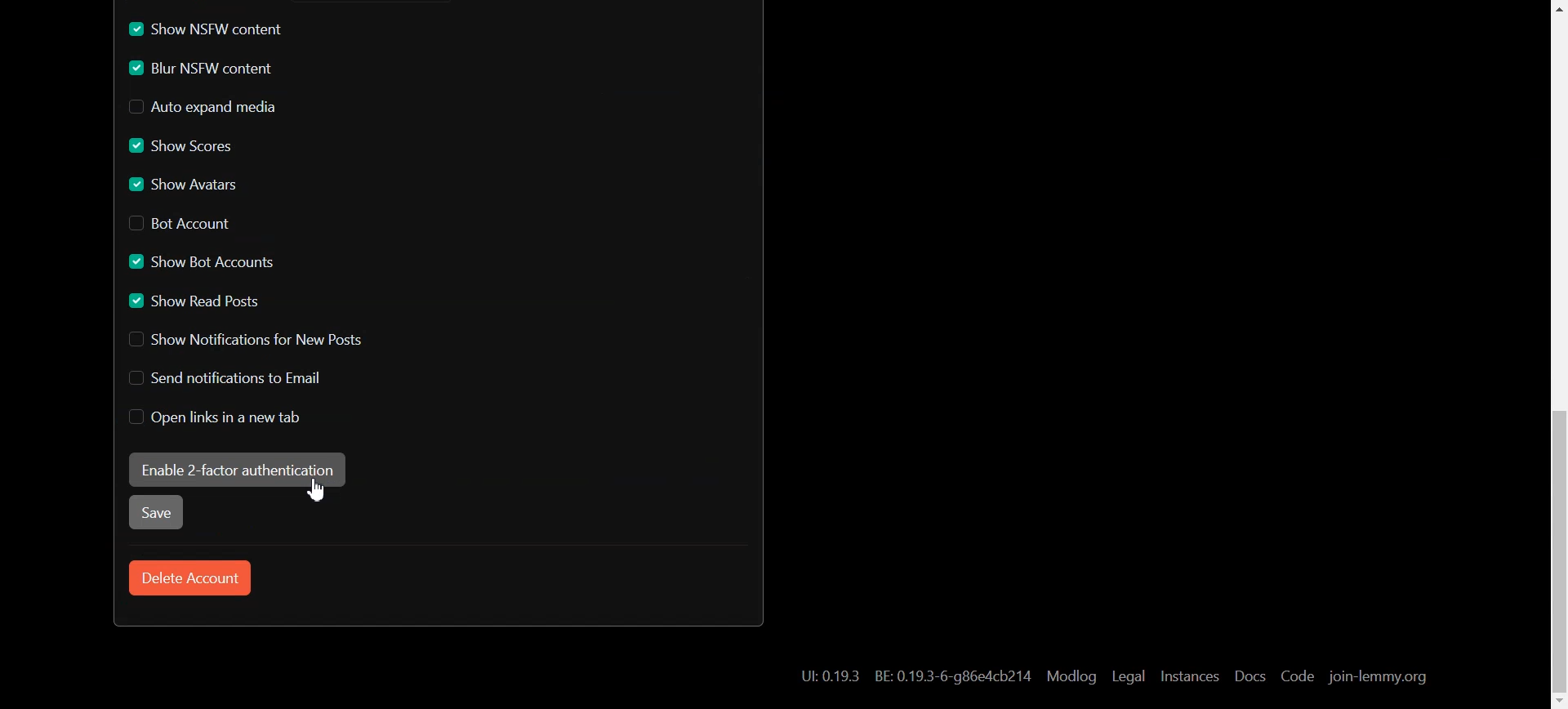 The image size is (1568, 709). Describe the element at coordinates (1190, 676) in the screenshot. I see `Instances` at that location.